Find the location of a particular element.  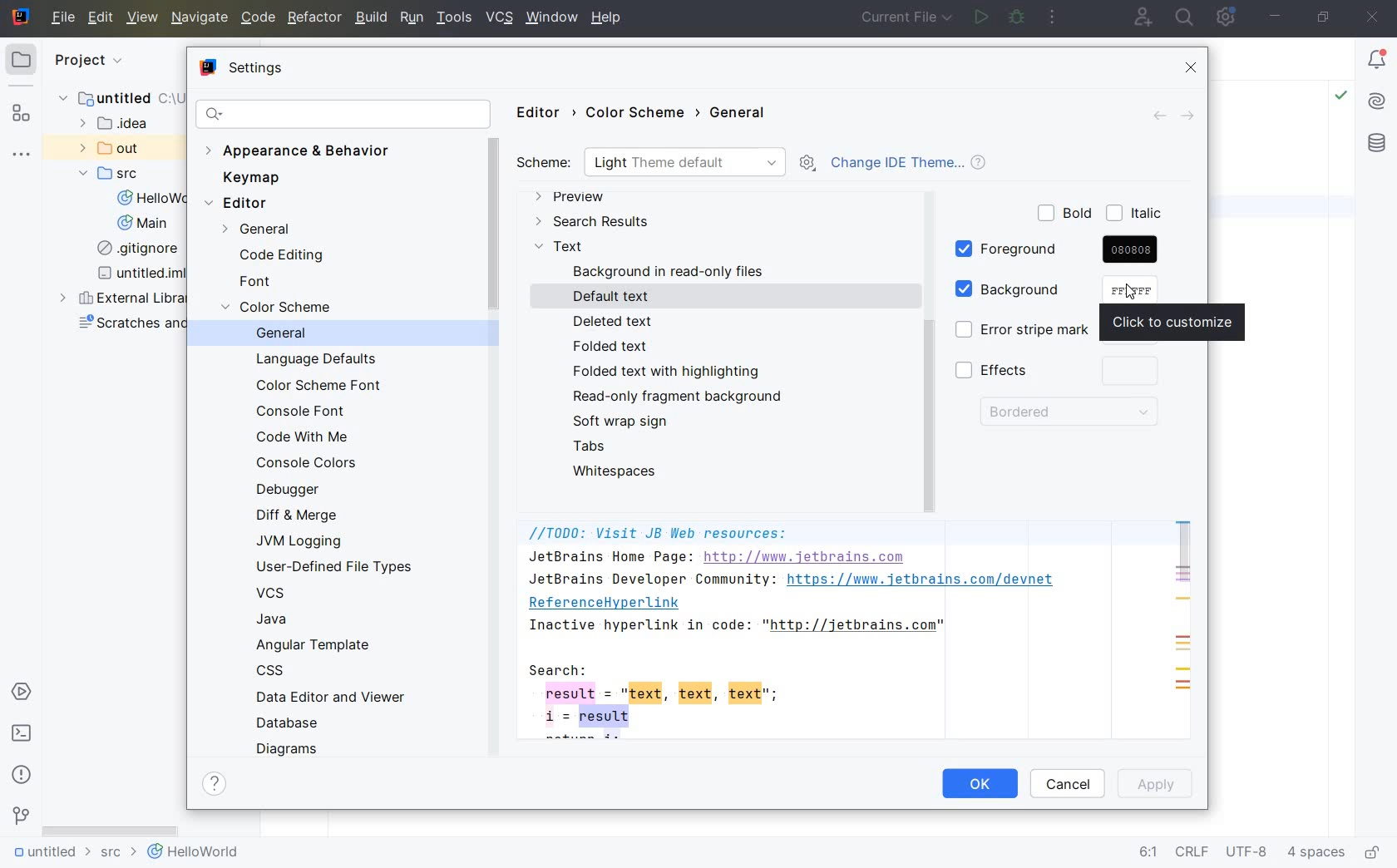

SEARCH RESULTS is located at coordinates (592, 223).